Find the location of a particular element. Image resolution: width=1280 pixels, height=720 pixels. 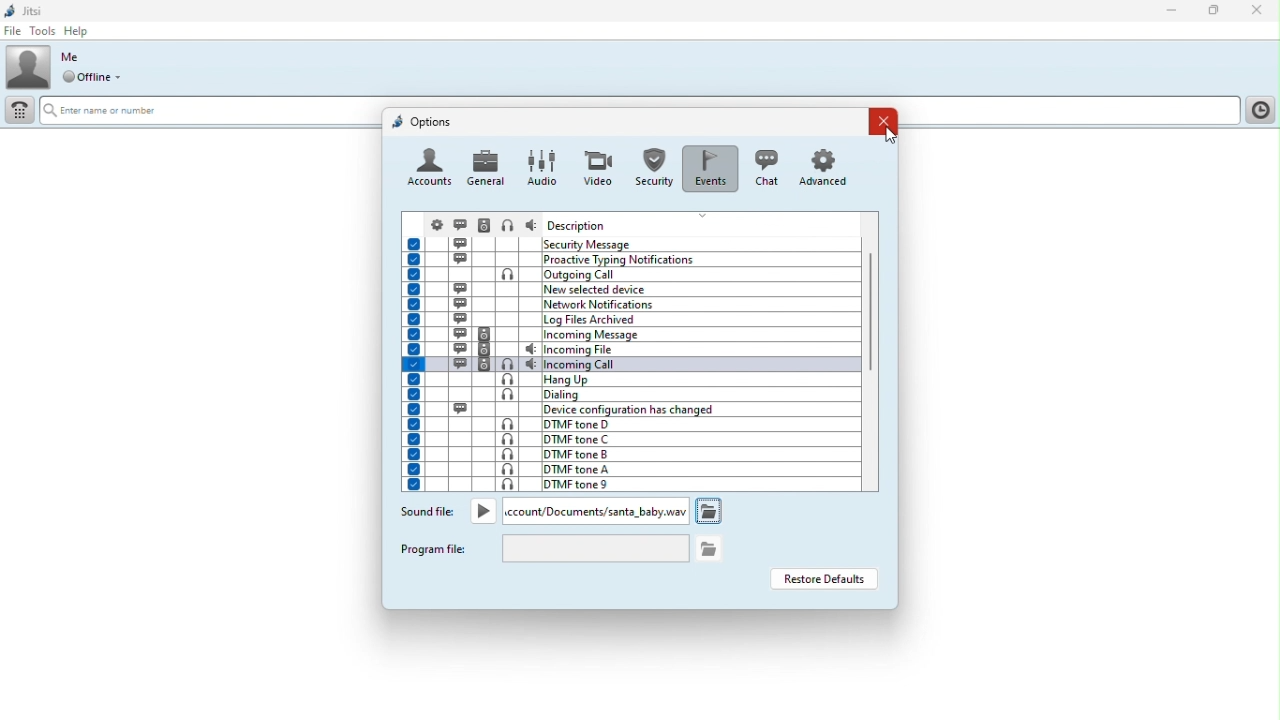

Minimise is located at coordinates (1176, 12).